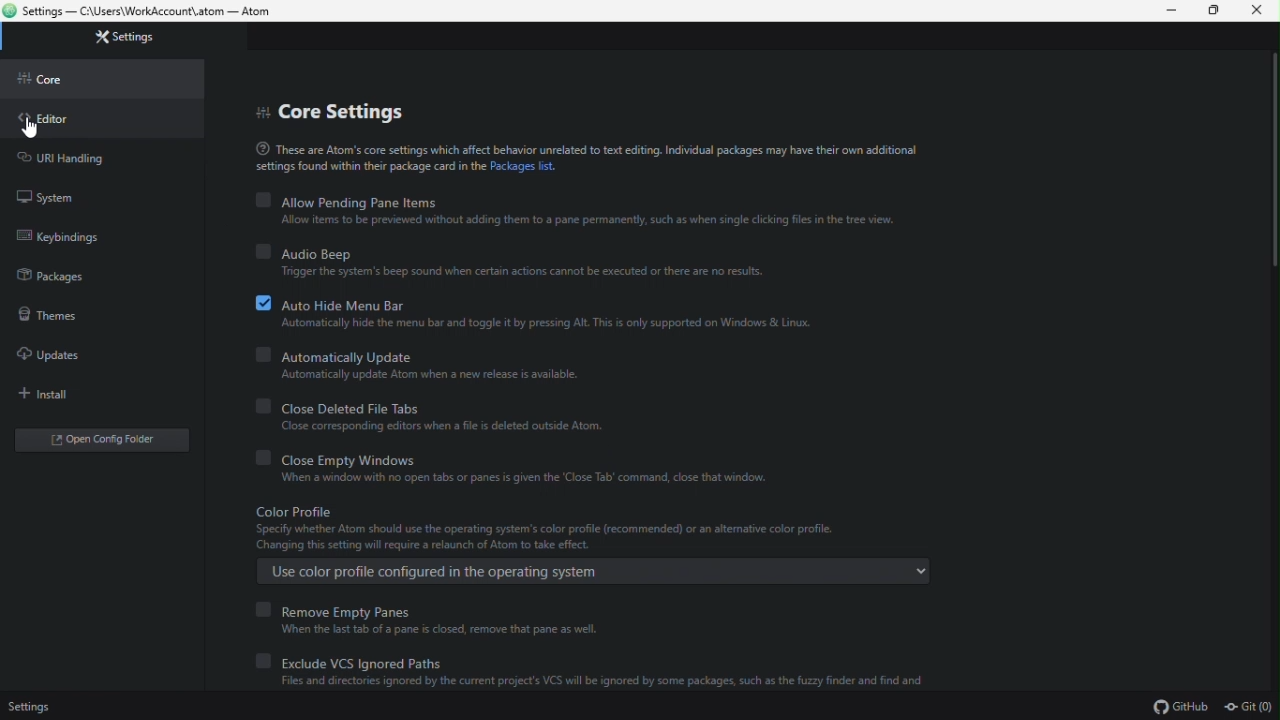 The width and height of the screenshot is (1280, 720). I want to click on Settings — C:\Users\WorkAccount\.atom — Atom, so click(154, 13).